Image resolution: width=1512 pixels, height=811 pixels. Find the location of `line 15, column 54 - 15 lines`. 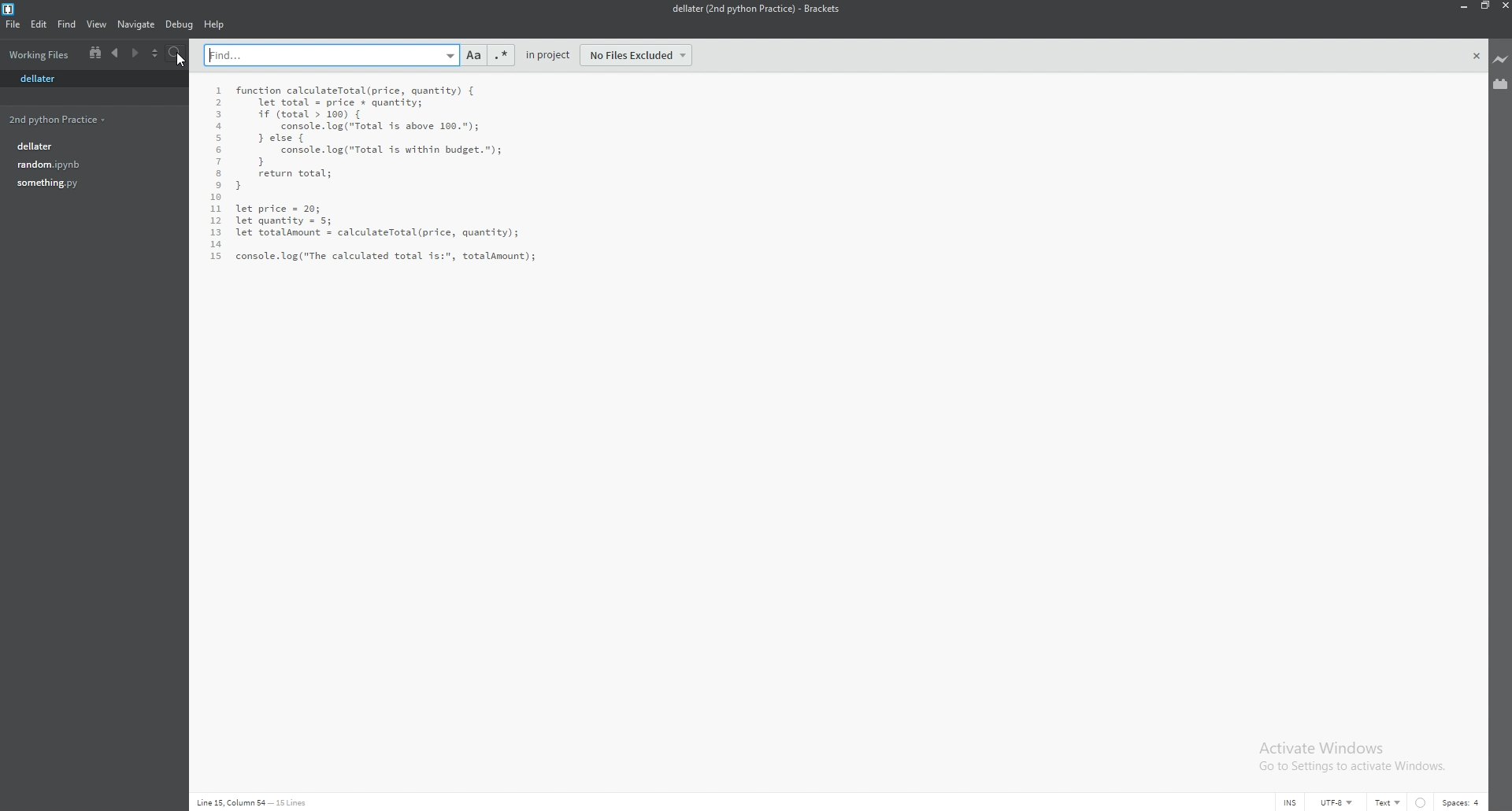

line 15, column 54 - 15 lines is located at coordinates (254, 802).